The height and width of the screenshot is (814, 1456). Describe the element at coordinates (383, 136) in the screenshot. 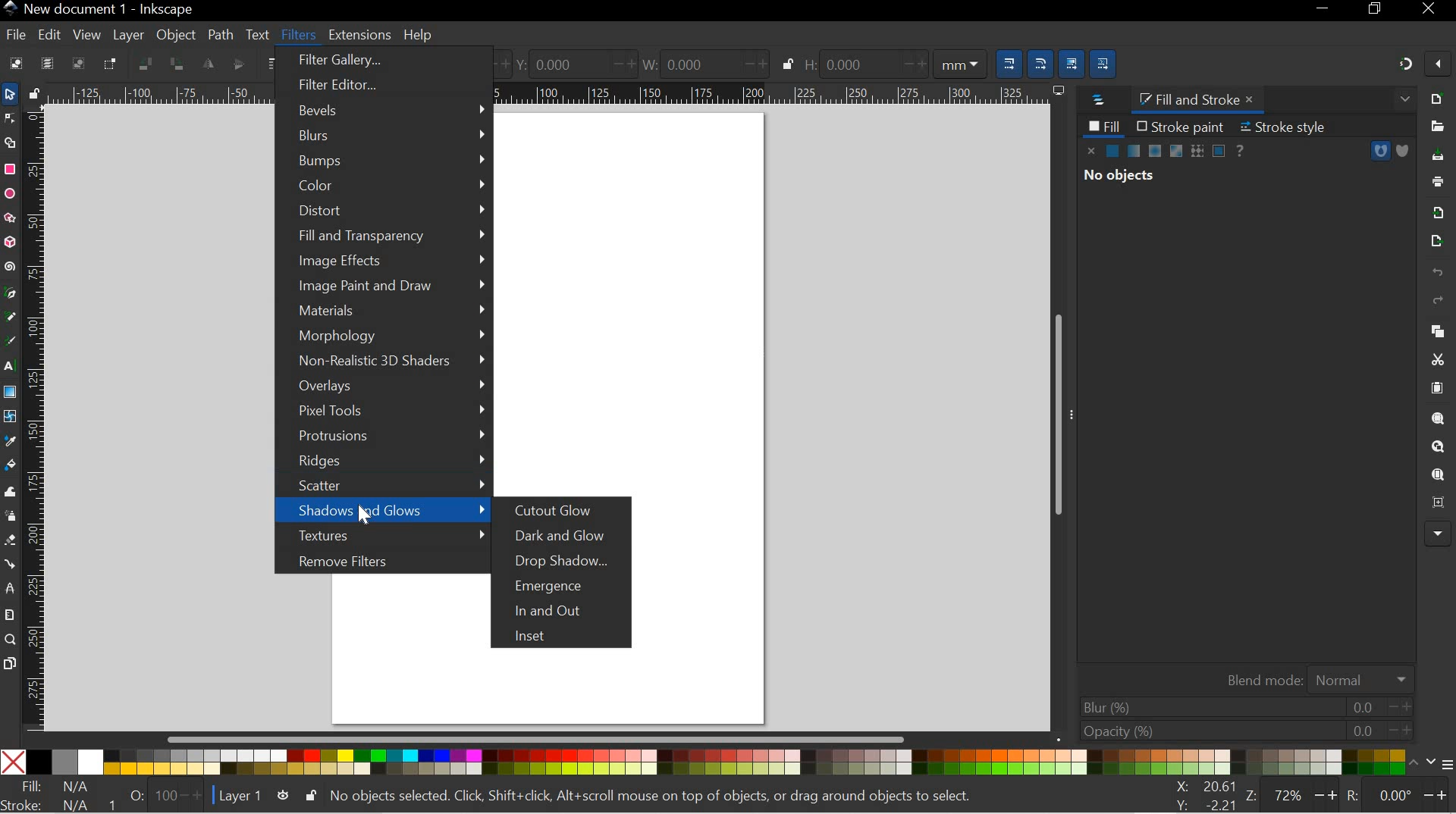

I see `BLURS` at that location.